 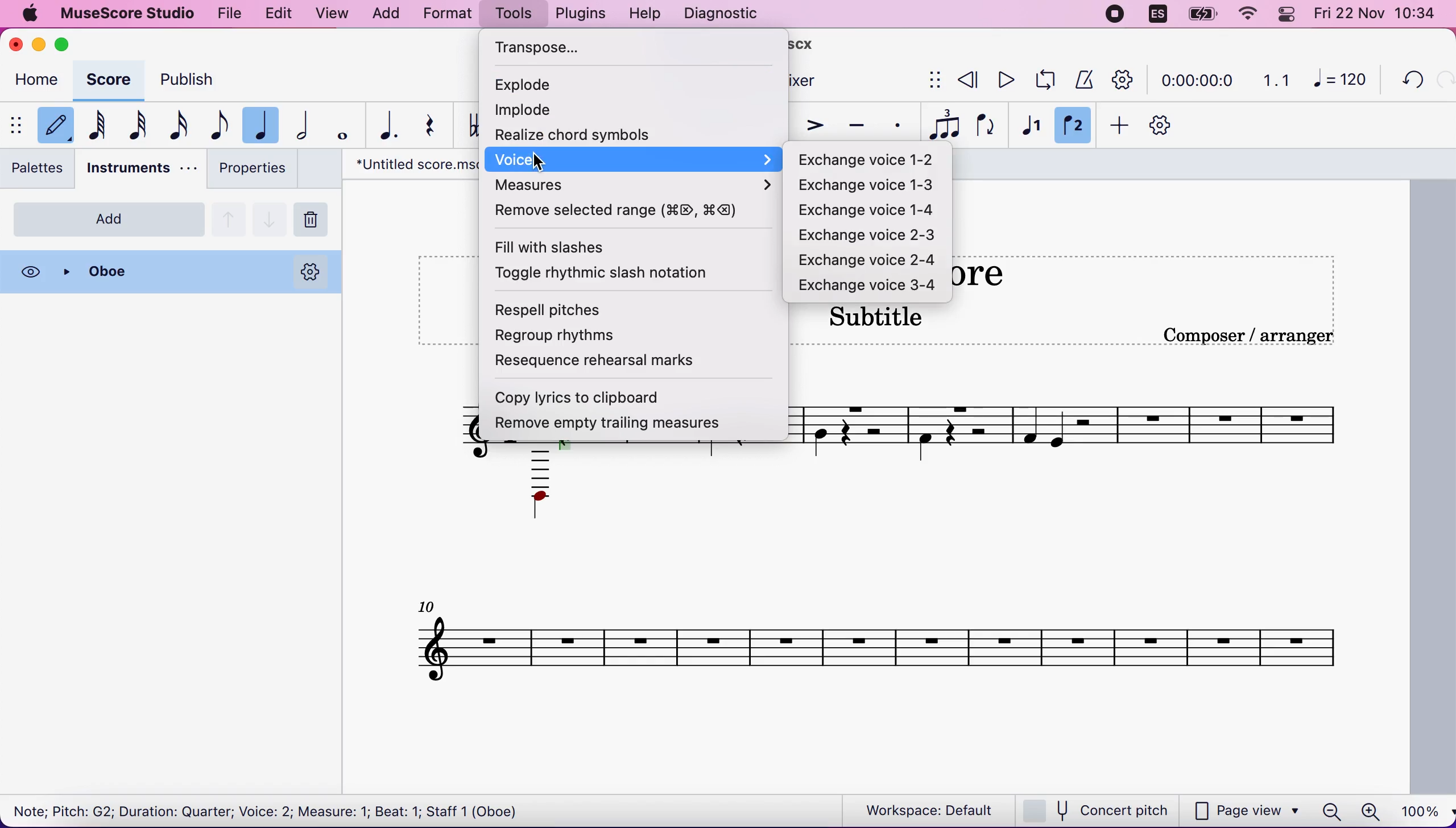 I want to click on exchange voice 1-2, so click(x=869, y=161).